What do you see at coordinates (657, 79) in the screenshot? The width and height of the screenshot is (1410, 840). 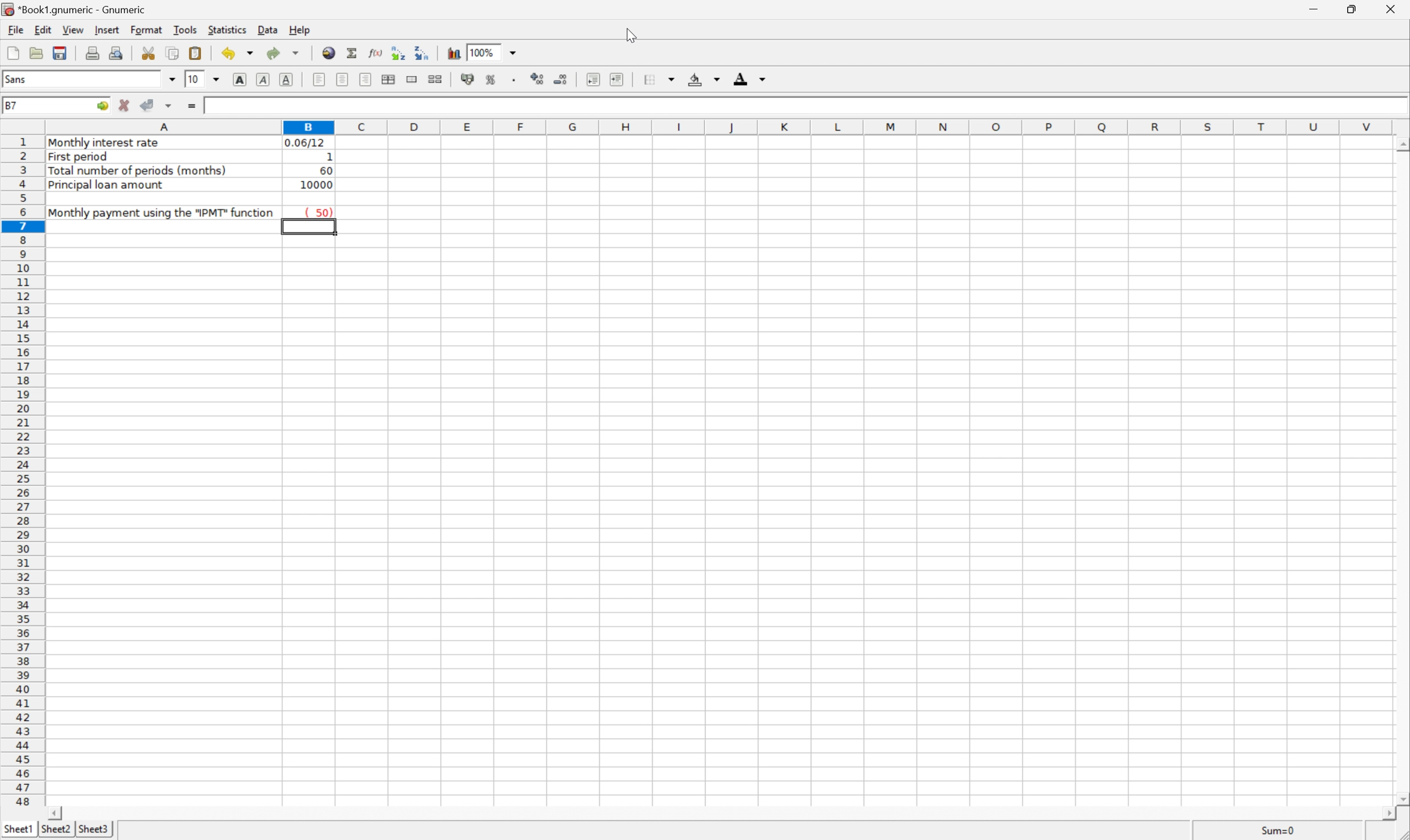 I see `Borders` at bounding box center [657, 79].